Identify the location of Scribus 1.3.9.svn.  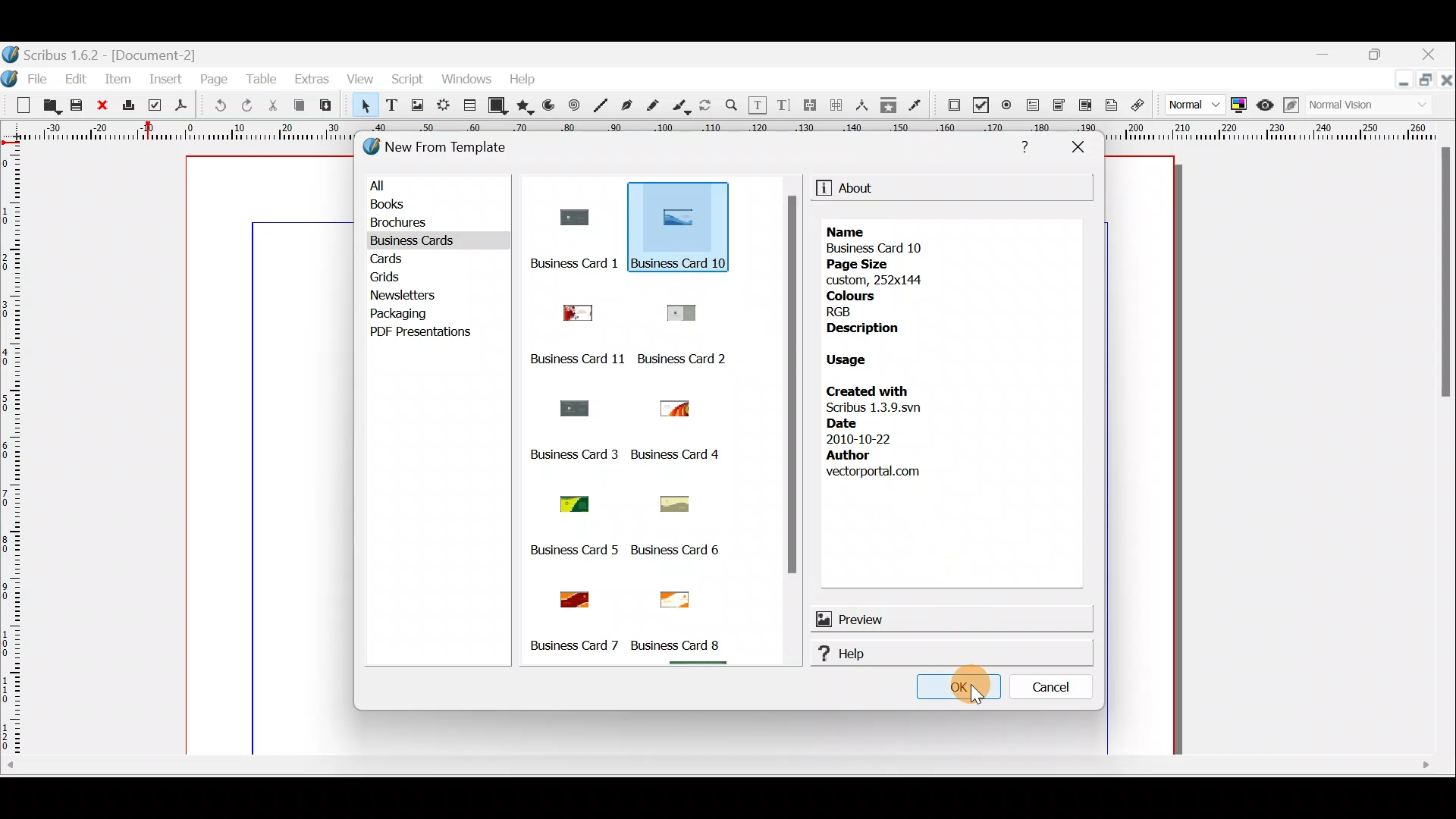
(877, 407).